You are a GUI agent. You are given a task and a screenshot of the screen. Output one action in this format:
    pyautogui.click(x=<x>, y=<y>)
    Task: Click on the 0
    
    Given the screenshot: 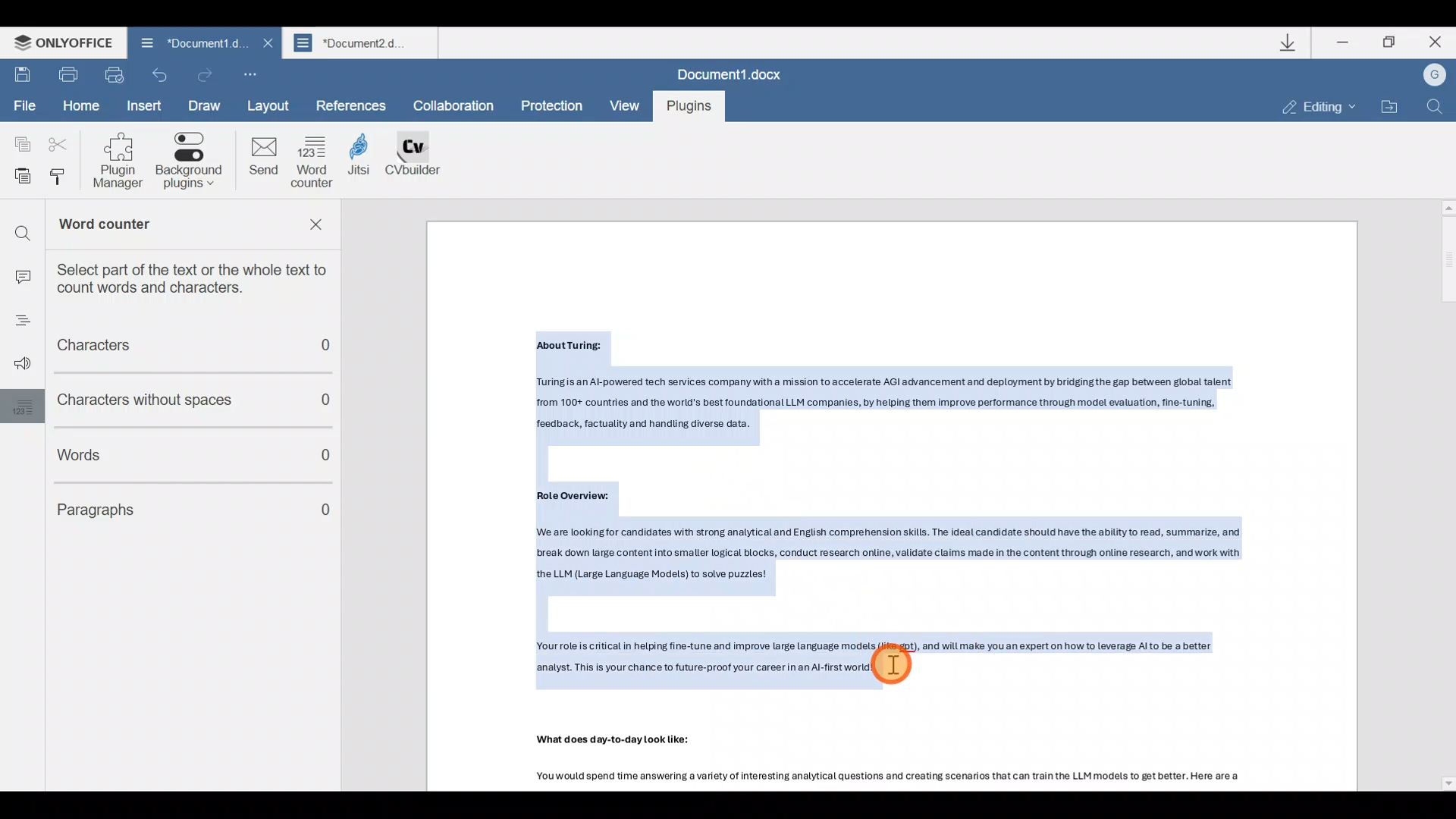 What is the action you would take?
    pyautogui.click(x=327, y=458)
    